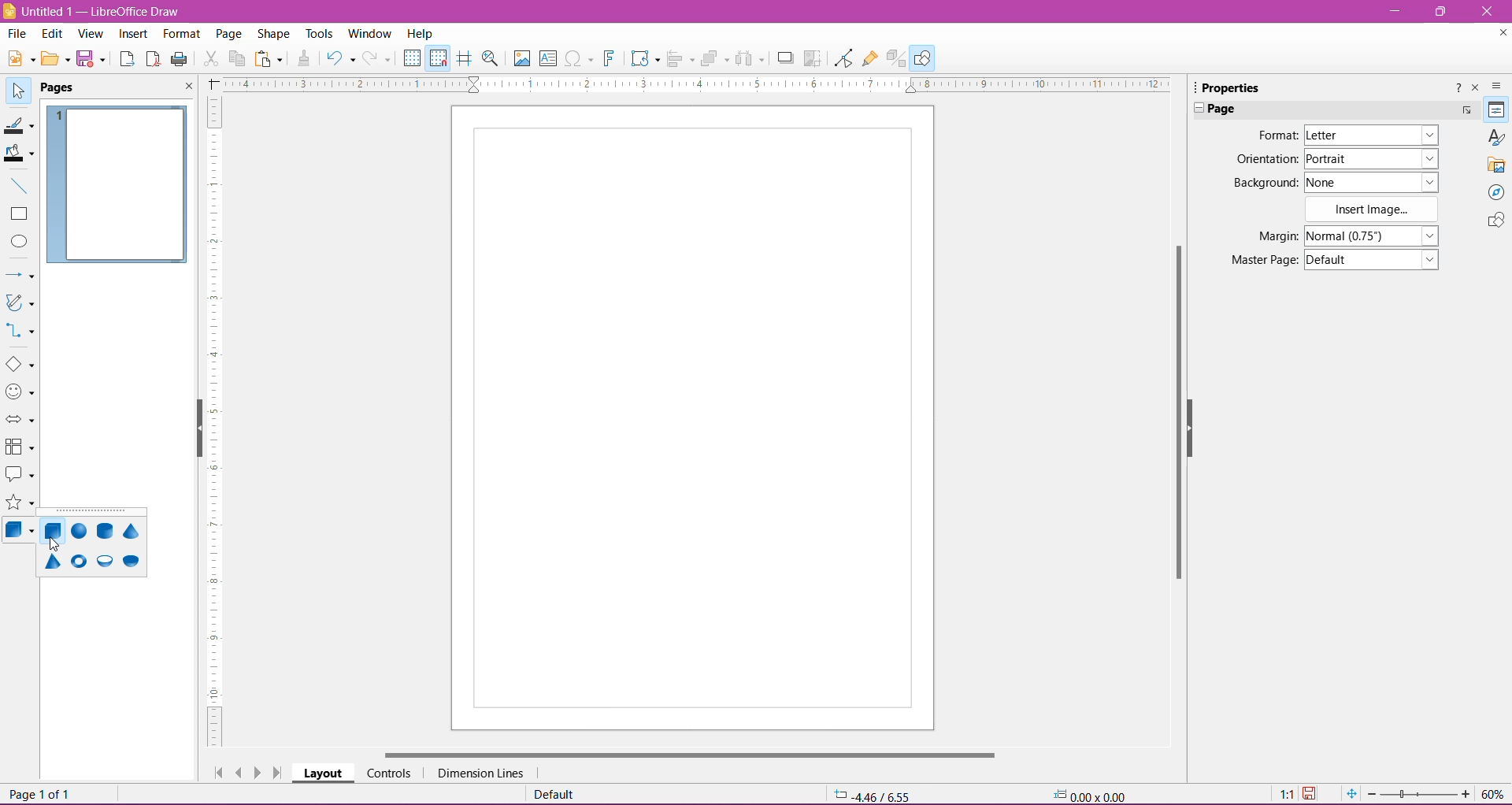 This screenshot has width=1512, height=805. What do you see at coordinates (20, 276) in the screenshot?
I see `Lines and Arrows` at bounding box center [20, 276].